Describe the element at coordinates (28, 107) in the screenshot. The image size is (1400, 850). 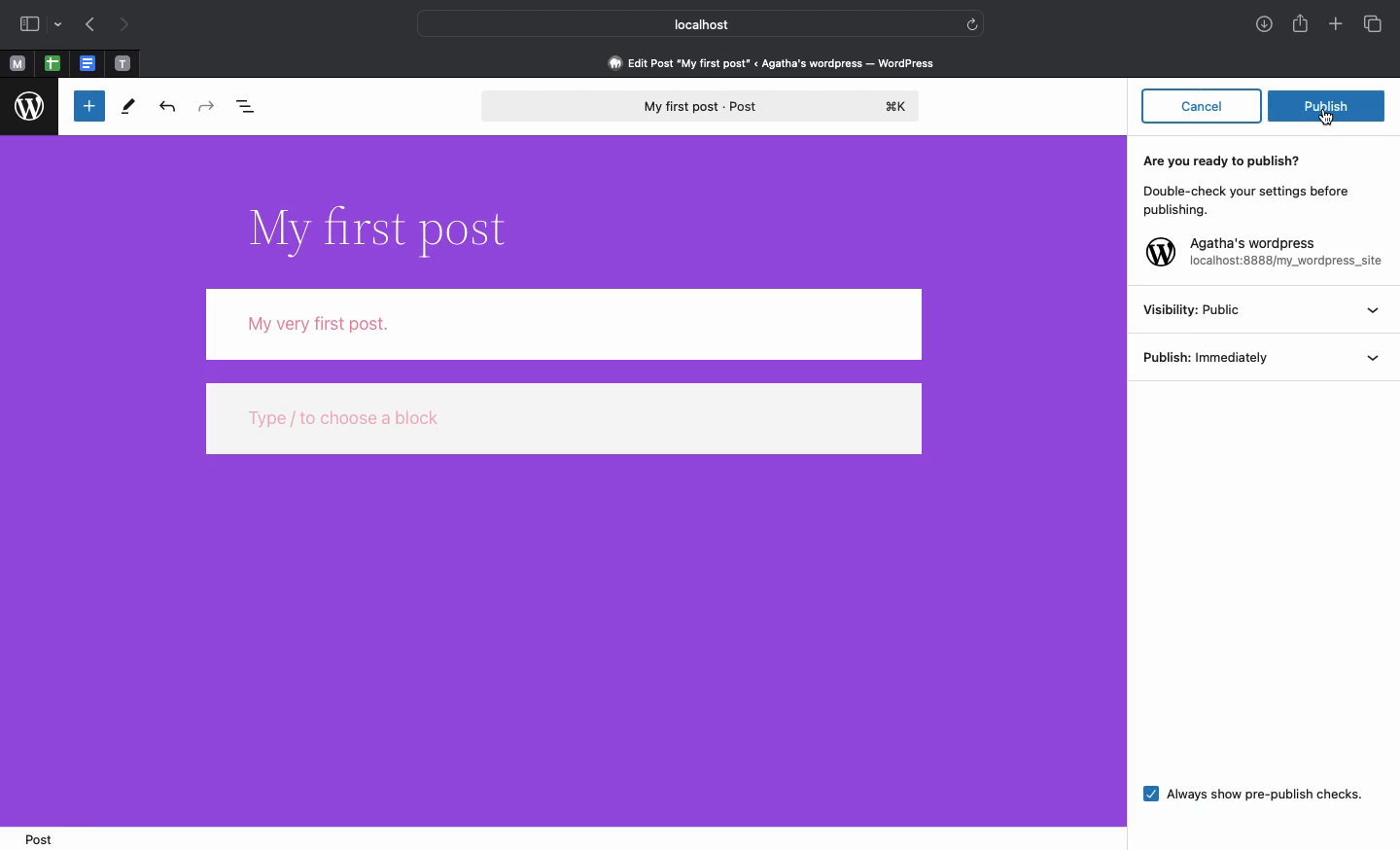
I see `Wordpress` at that location.